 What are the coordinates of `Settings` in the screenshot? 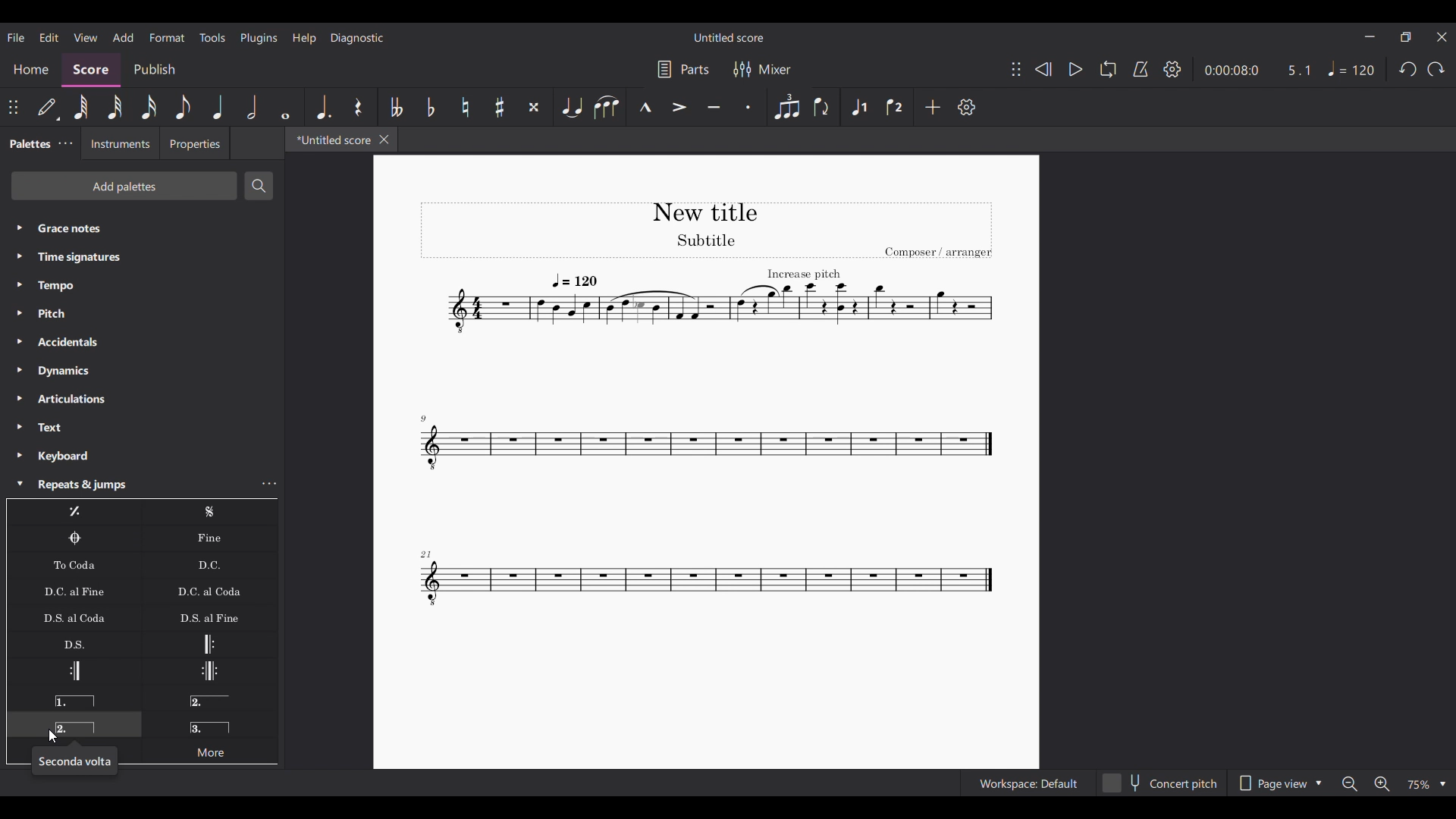 It's located at (1172, 69).